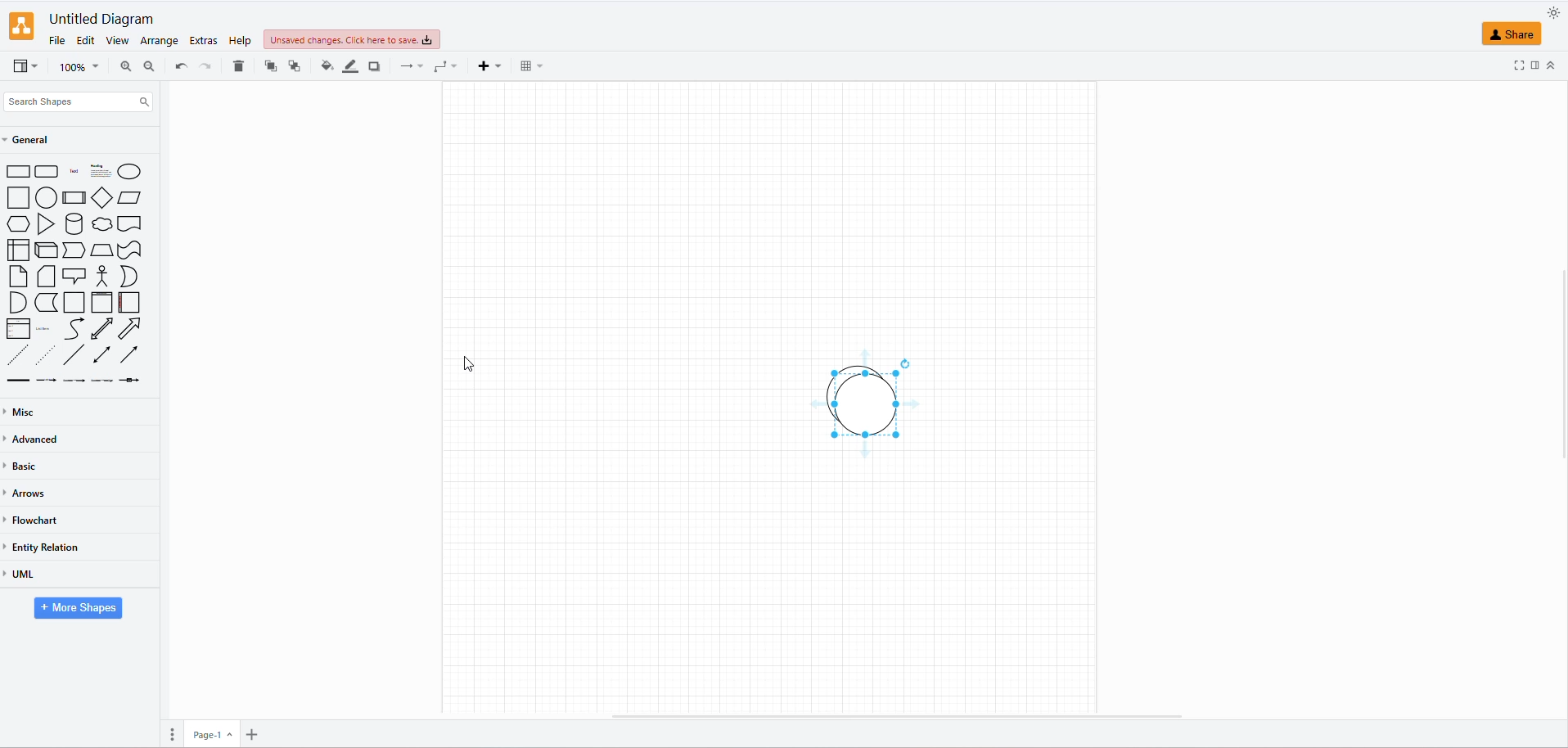 The width and height of the screenshot is (1568, 748). Describe the element at coordinates (349, 66) in the screenshot. I see `LINE COLOR` at that location.